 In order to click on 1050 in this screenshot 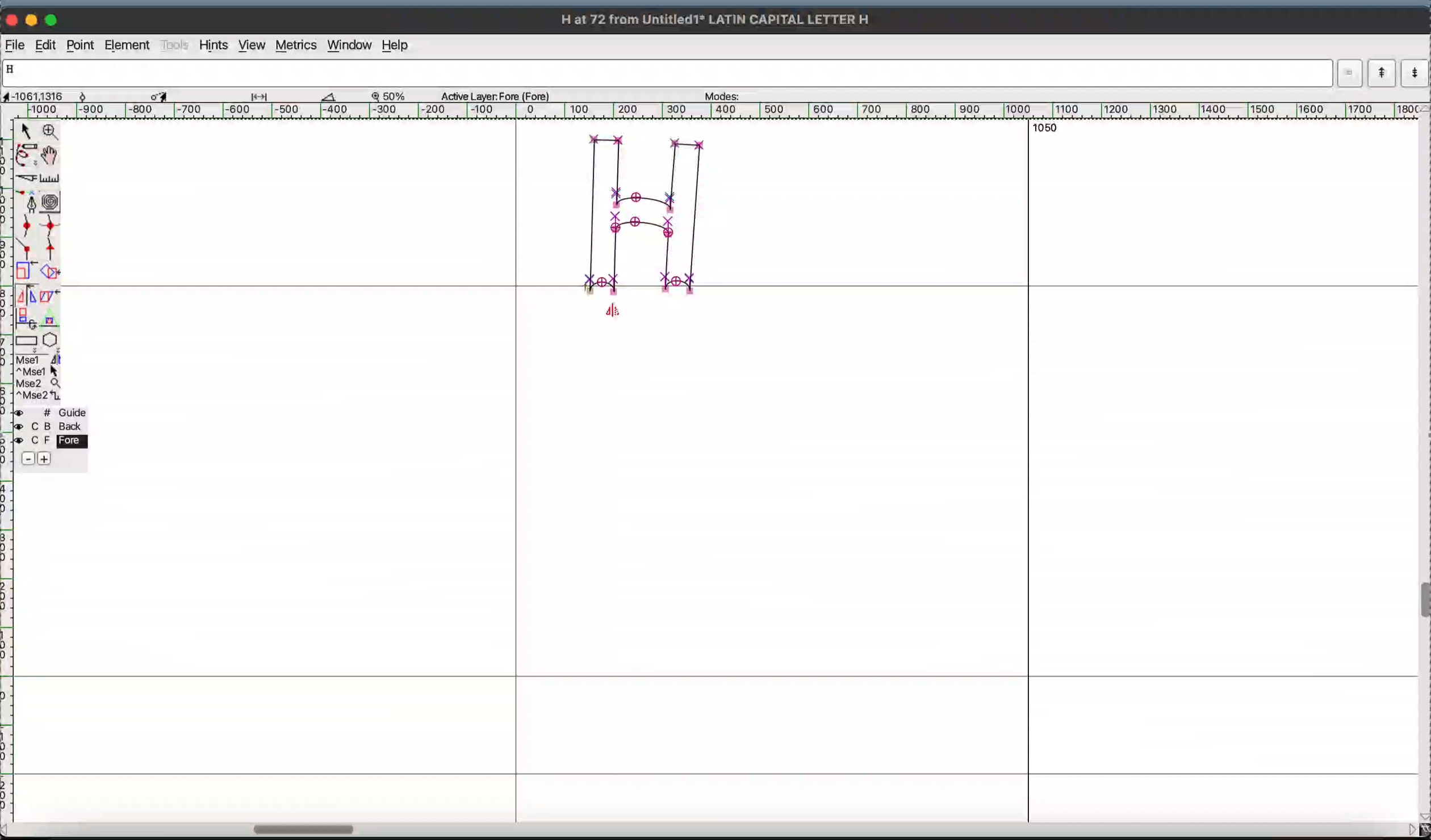, I will do `click(1043, 130)`.